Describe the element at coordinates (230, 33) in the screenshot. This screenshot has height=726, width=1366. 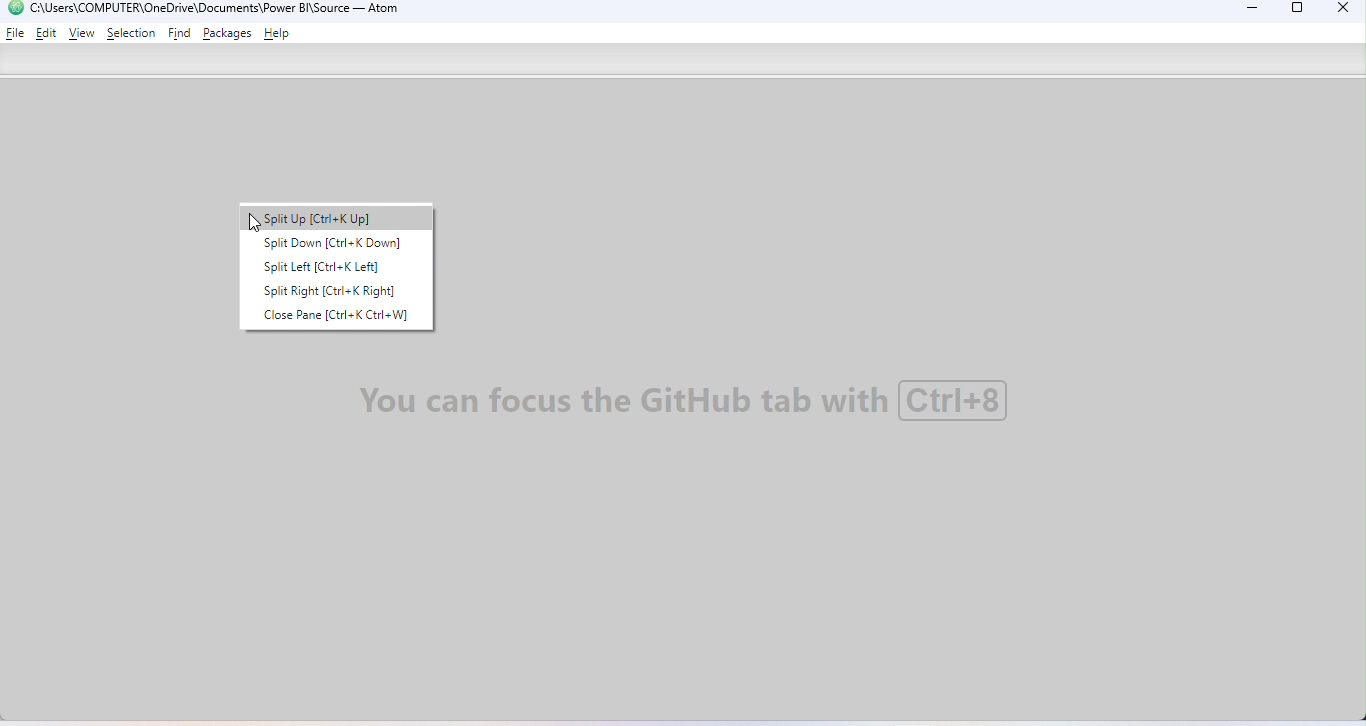
I see `Packages` at that location.